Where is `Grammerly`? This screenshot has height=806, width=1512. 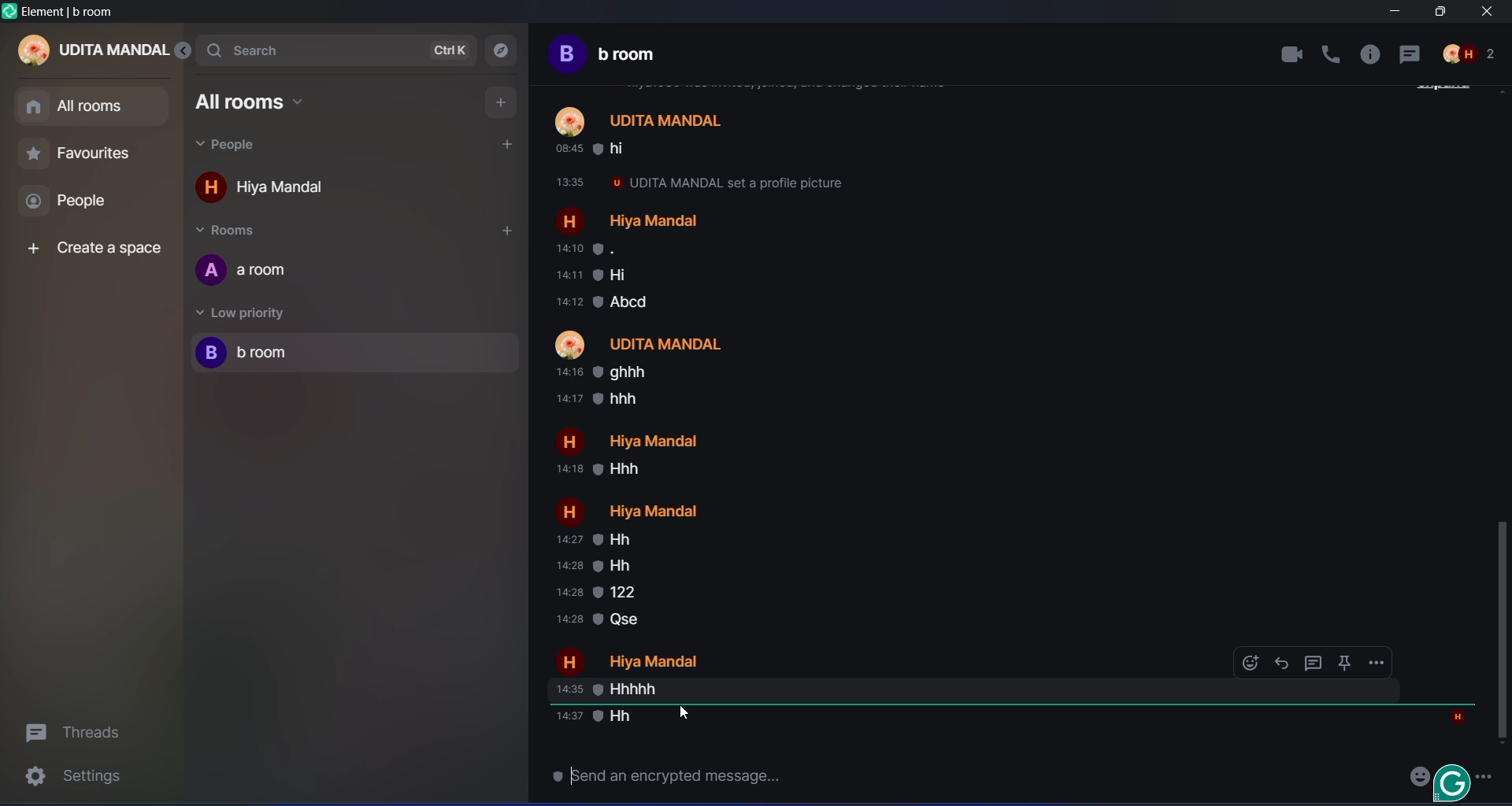 Grammerly is located at coordinates (1454, 782).